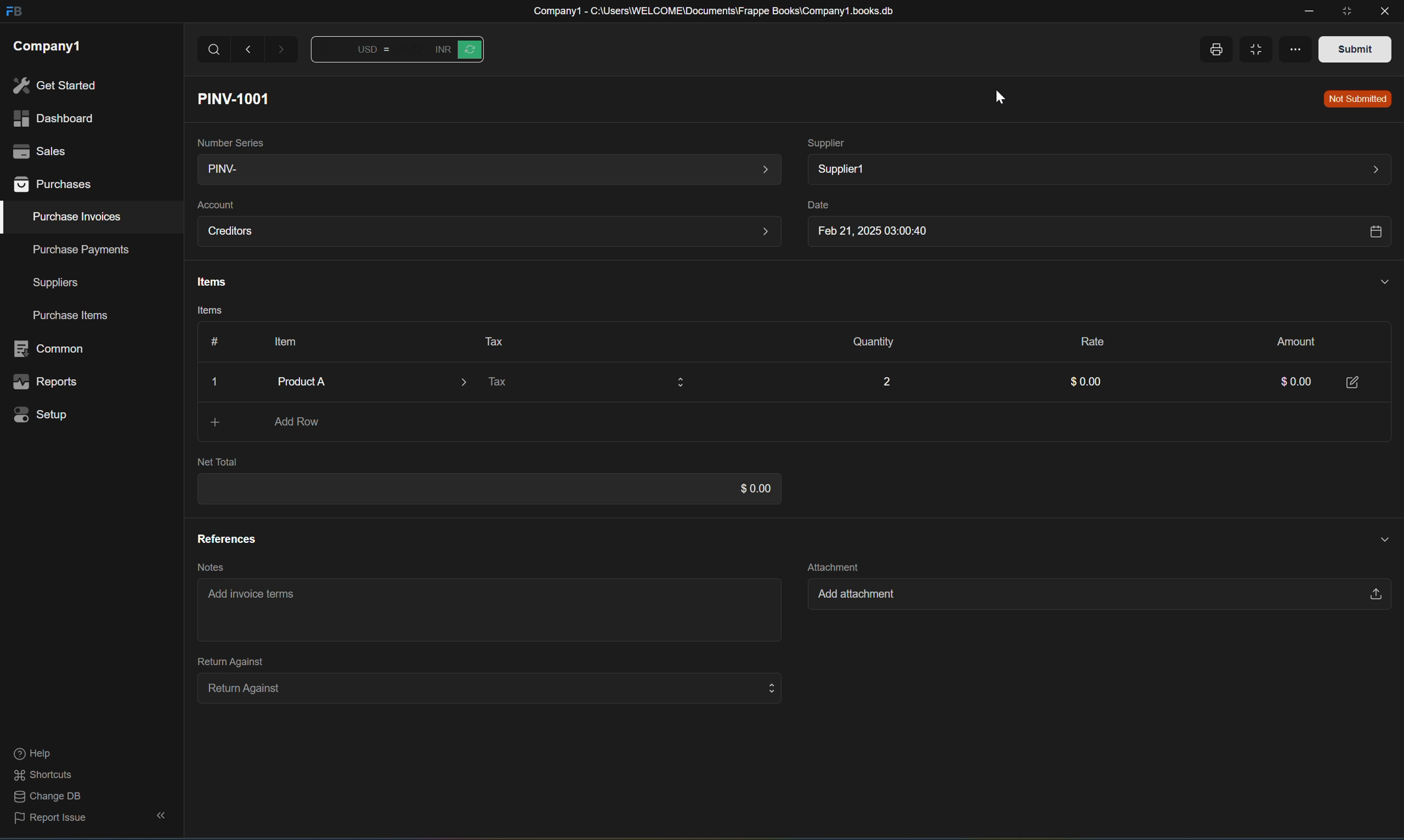 This screenshot has height=840, width=1404. What do you see at coordinates (207, 422) in the screenshot?
I see `Add` at bounding box center [207, 422].